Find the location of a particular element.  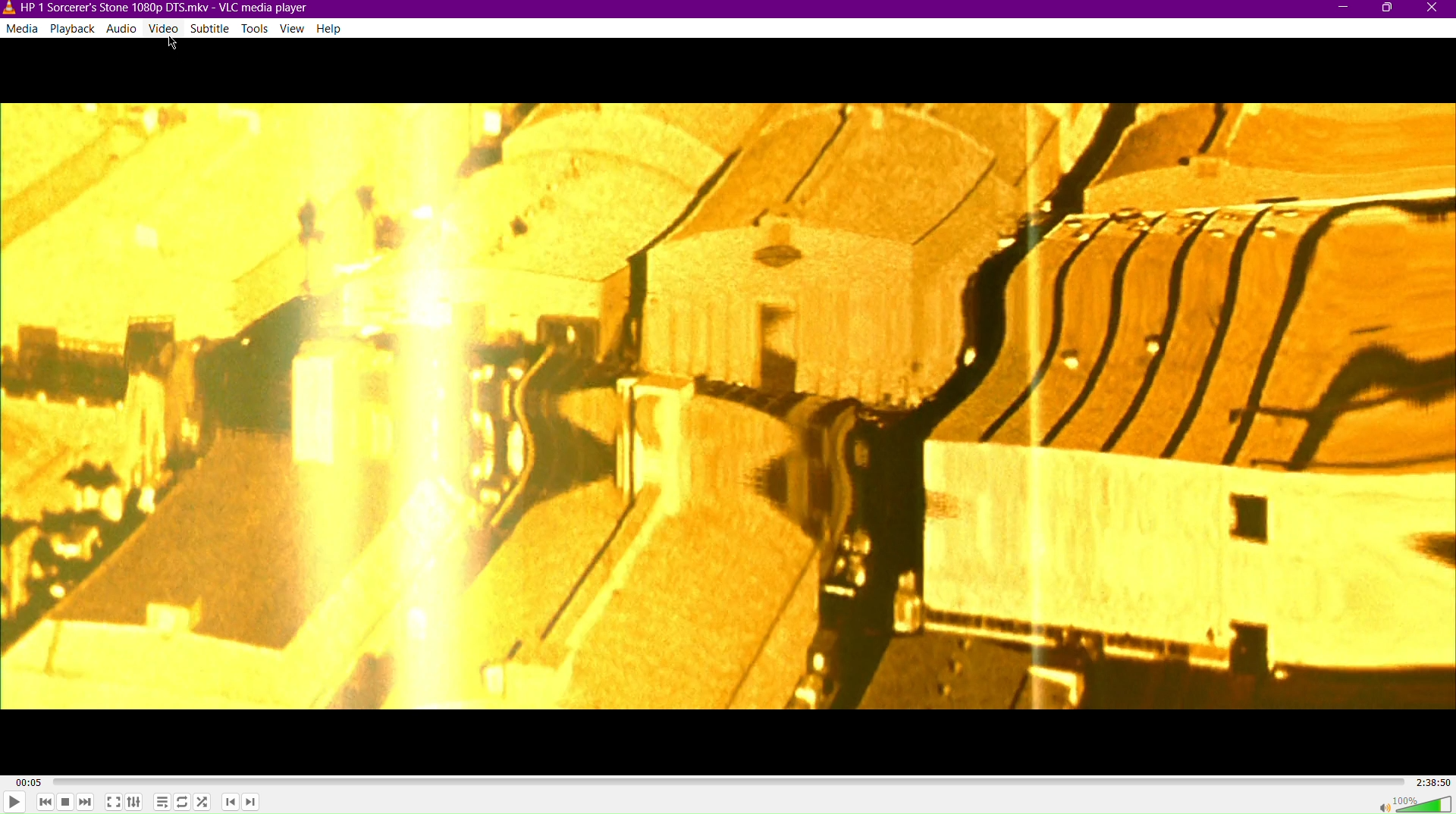

View is located at coordinates (294, 30).